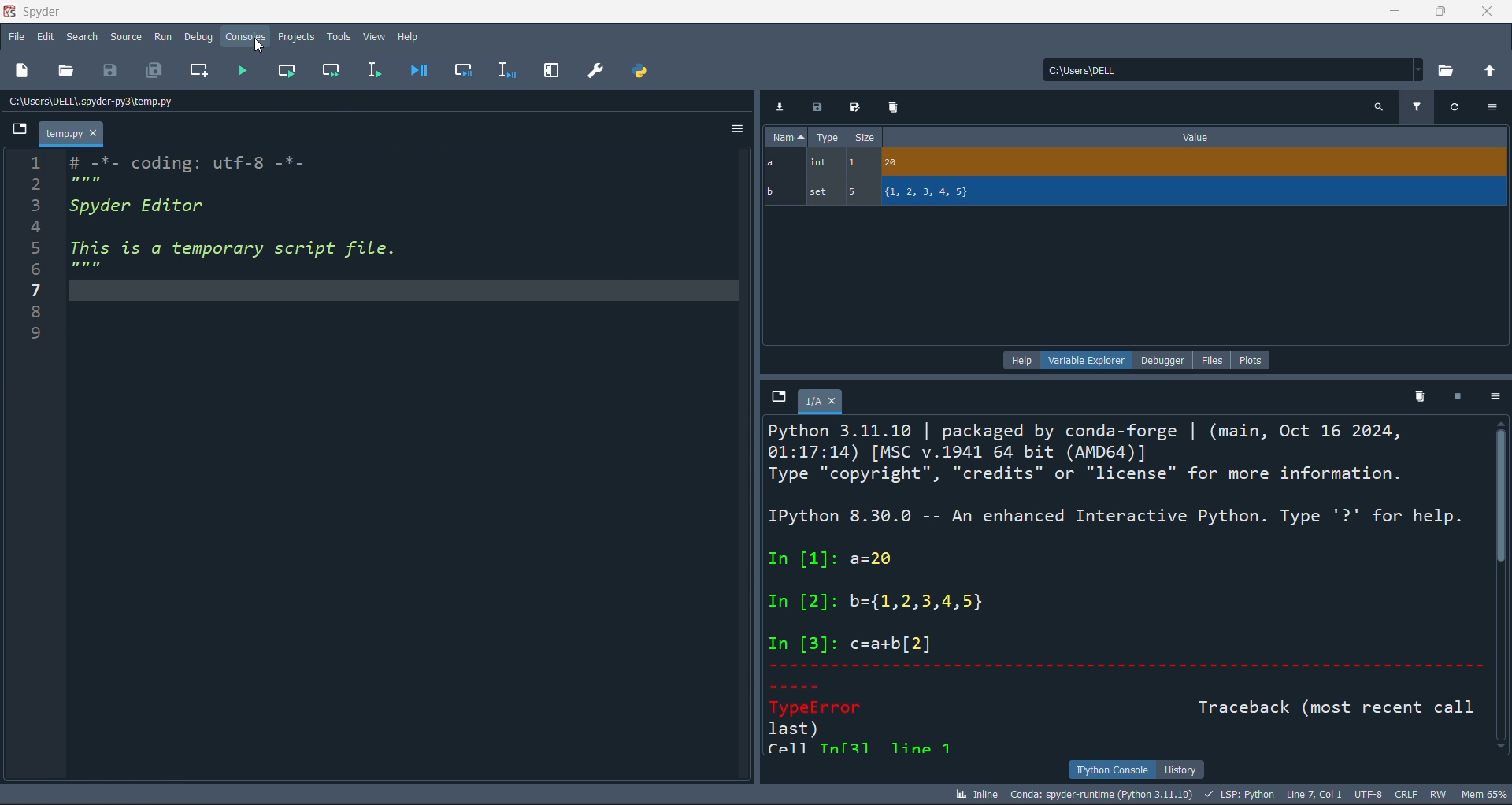 The image size is (1512, 805). I want to click on run cell and move, so click(335, 71).